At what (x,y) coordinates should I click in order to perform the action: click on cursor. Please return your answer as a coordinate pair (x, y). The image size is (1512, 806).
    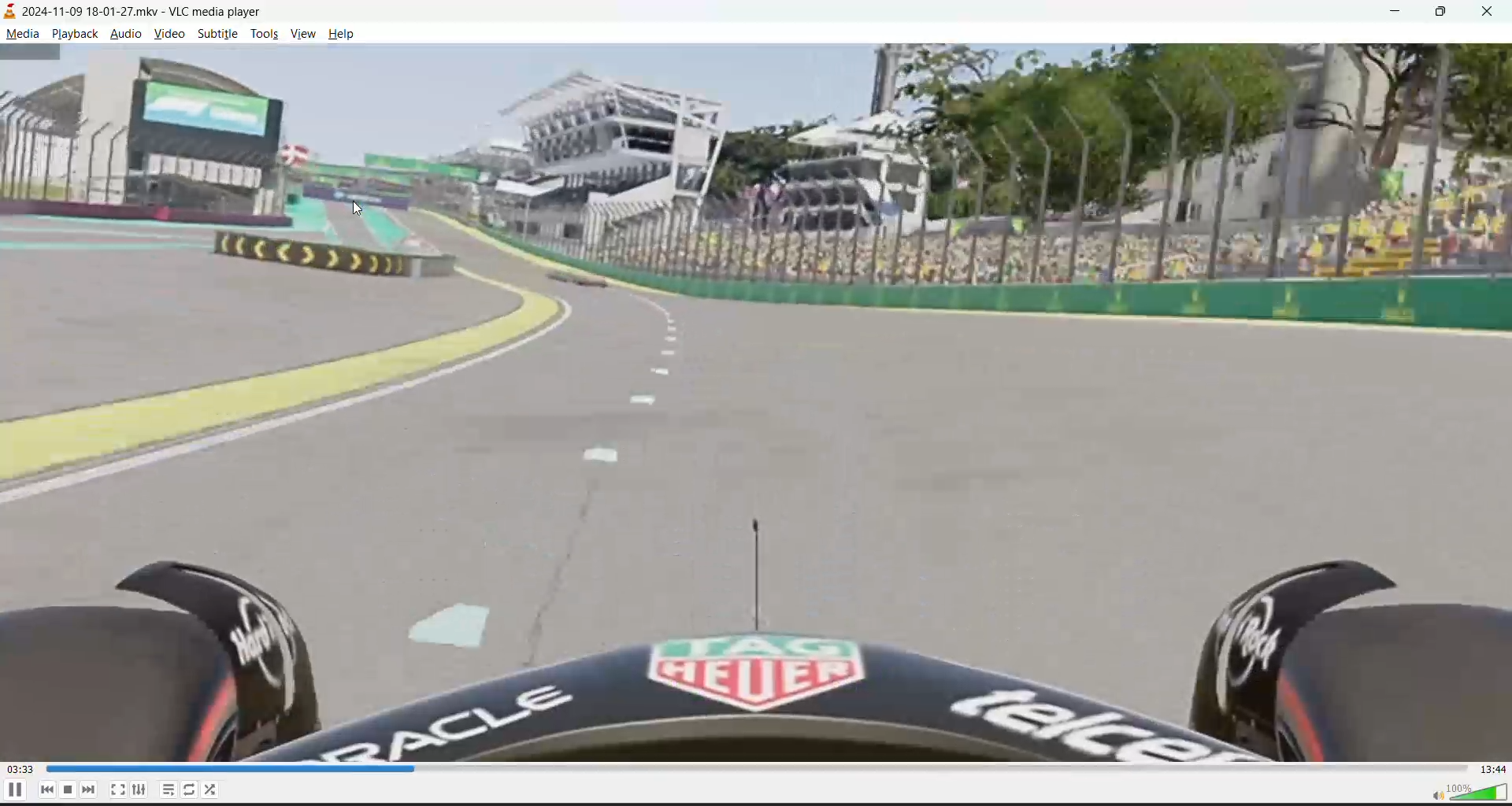
    Looking at the image, I should click on (359, 210).